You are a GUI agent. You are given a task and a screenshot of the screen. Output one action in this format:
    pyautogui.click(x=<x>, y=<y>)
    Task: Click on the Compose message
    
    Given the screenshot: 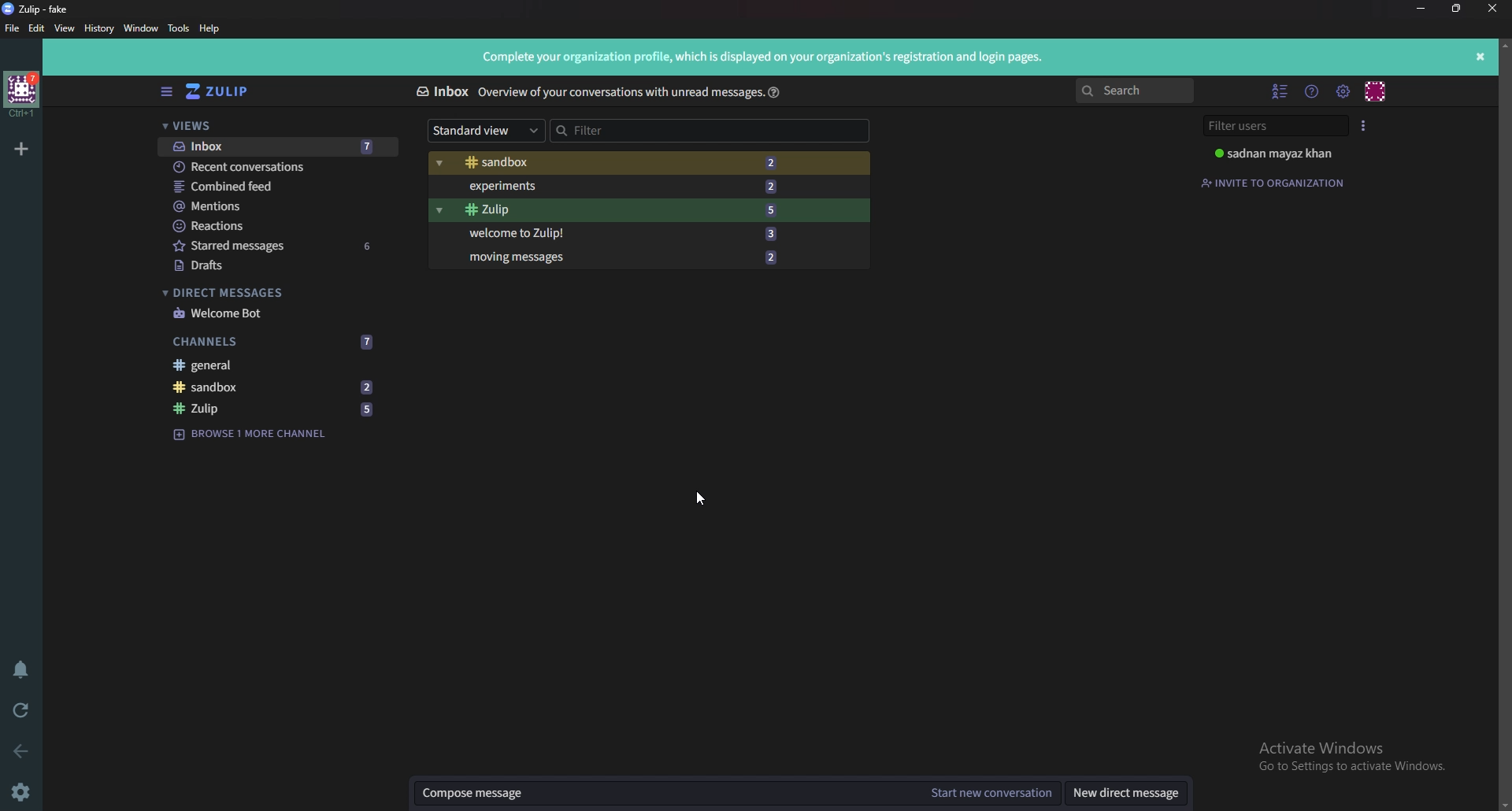 What is the action you would take?
    pyautogui.click(x=668, y=793)
    